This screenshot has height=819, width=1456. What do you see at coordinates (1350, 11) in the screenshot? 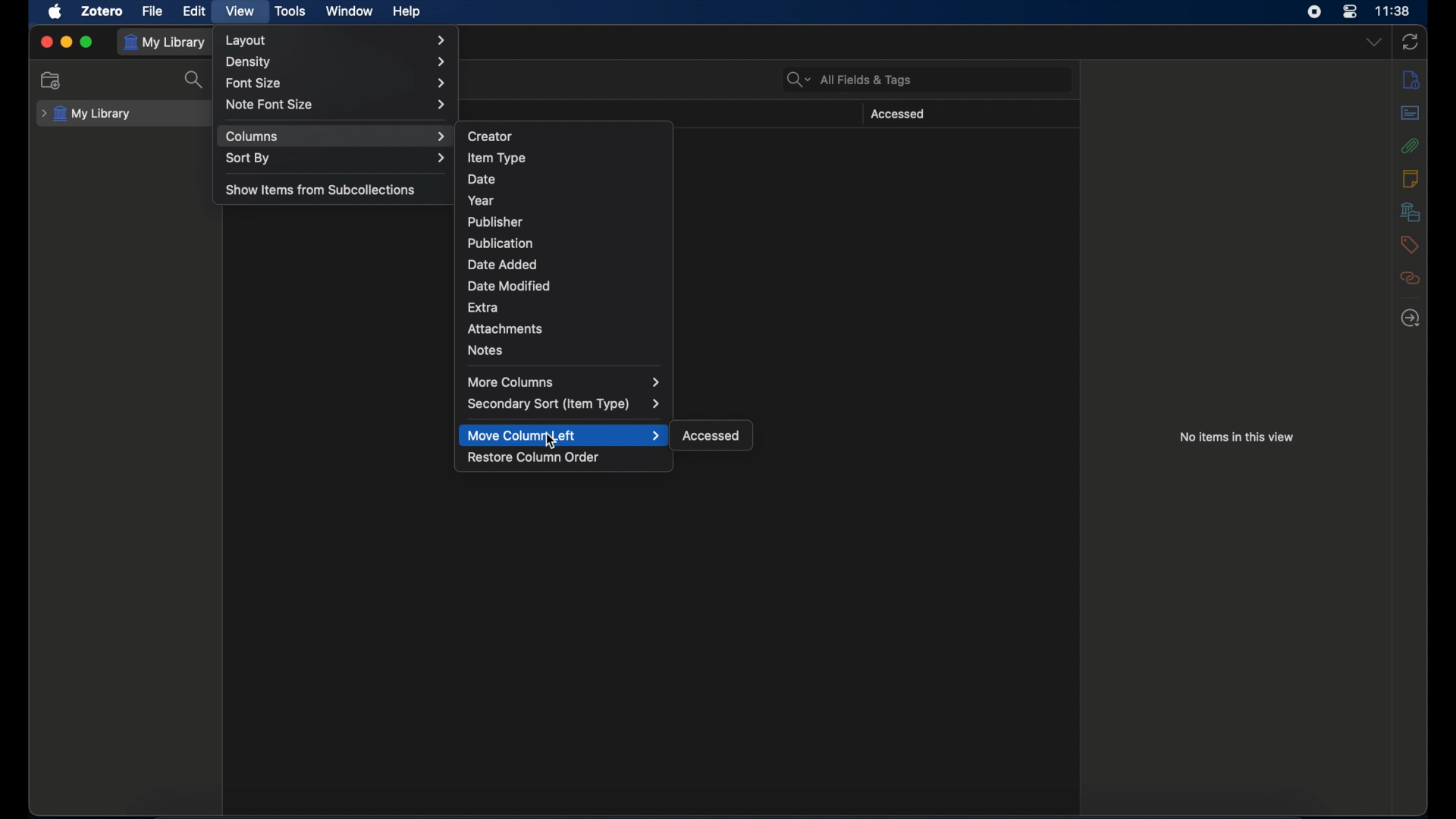
I see `control center` at bounding box center [1350, 11].